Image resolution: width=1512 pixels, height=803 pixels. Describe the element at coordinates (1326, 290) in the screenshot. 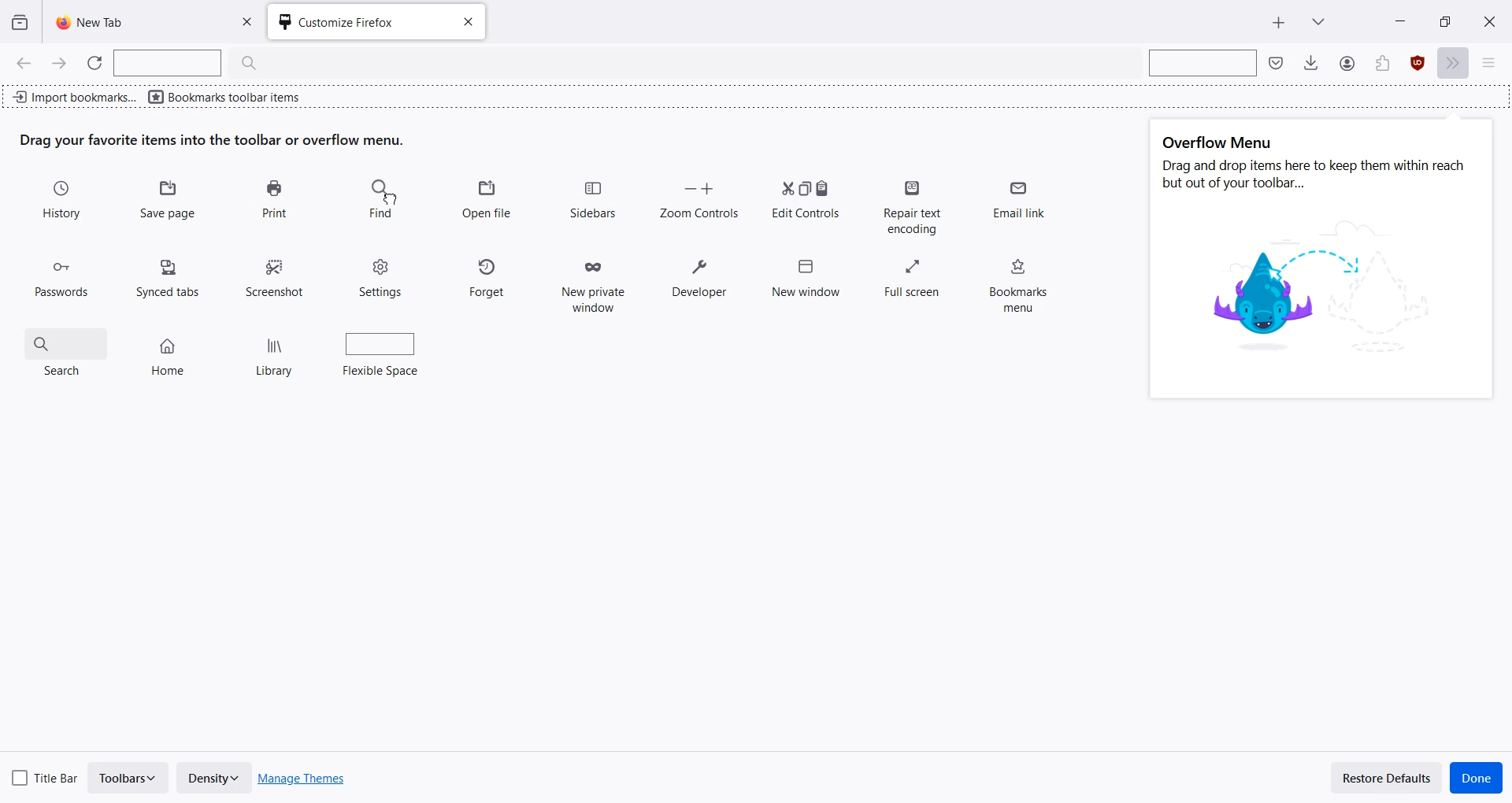

I see `image` at that location.